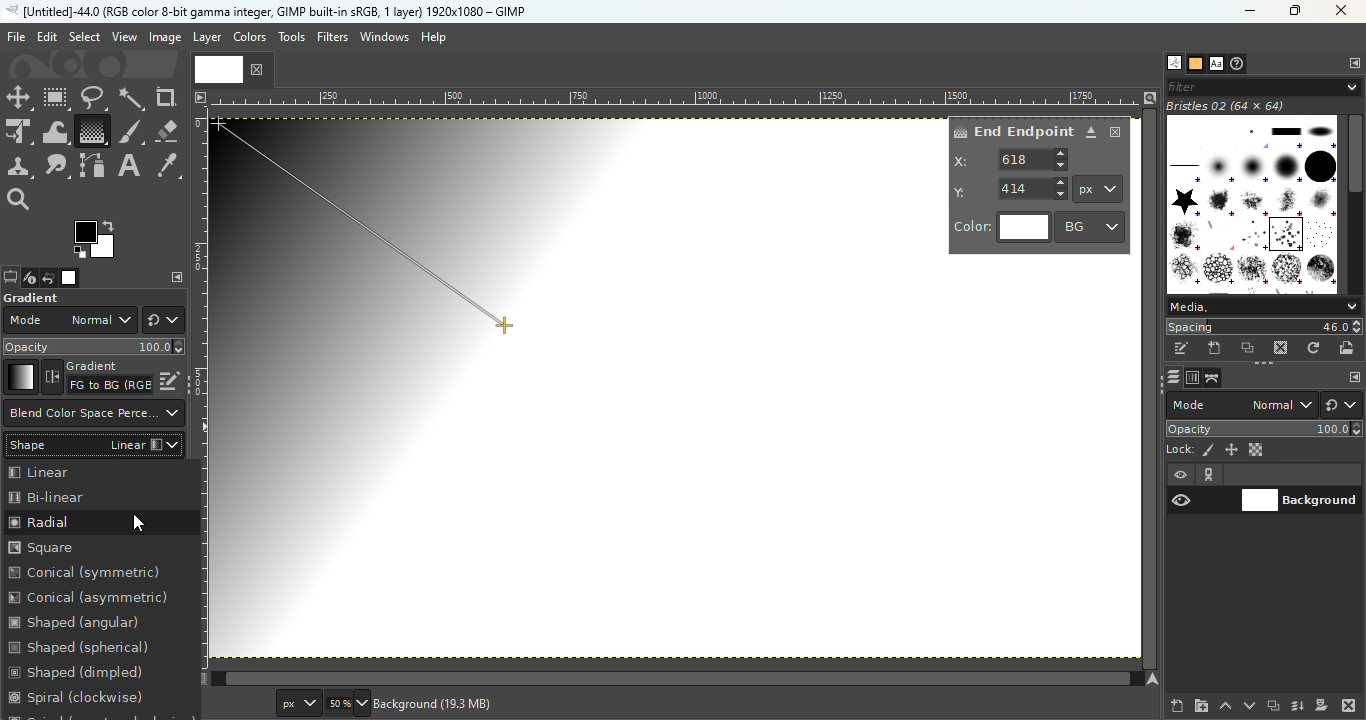 This screenshot has width=1366, height=720. Describe the element at coordinates (667, 679) in the screenshot. I see `Vertical scroll bar` at that location.